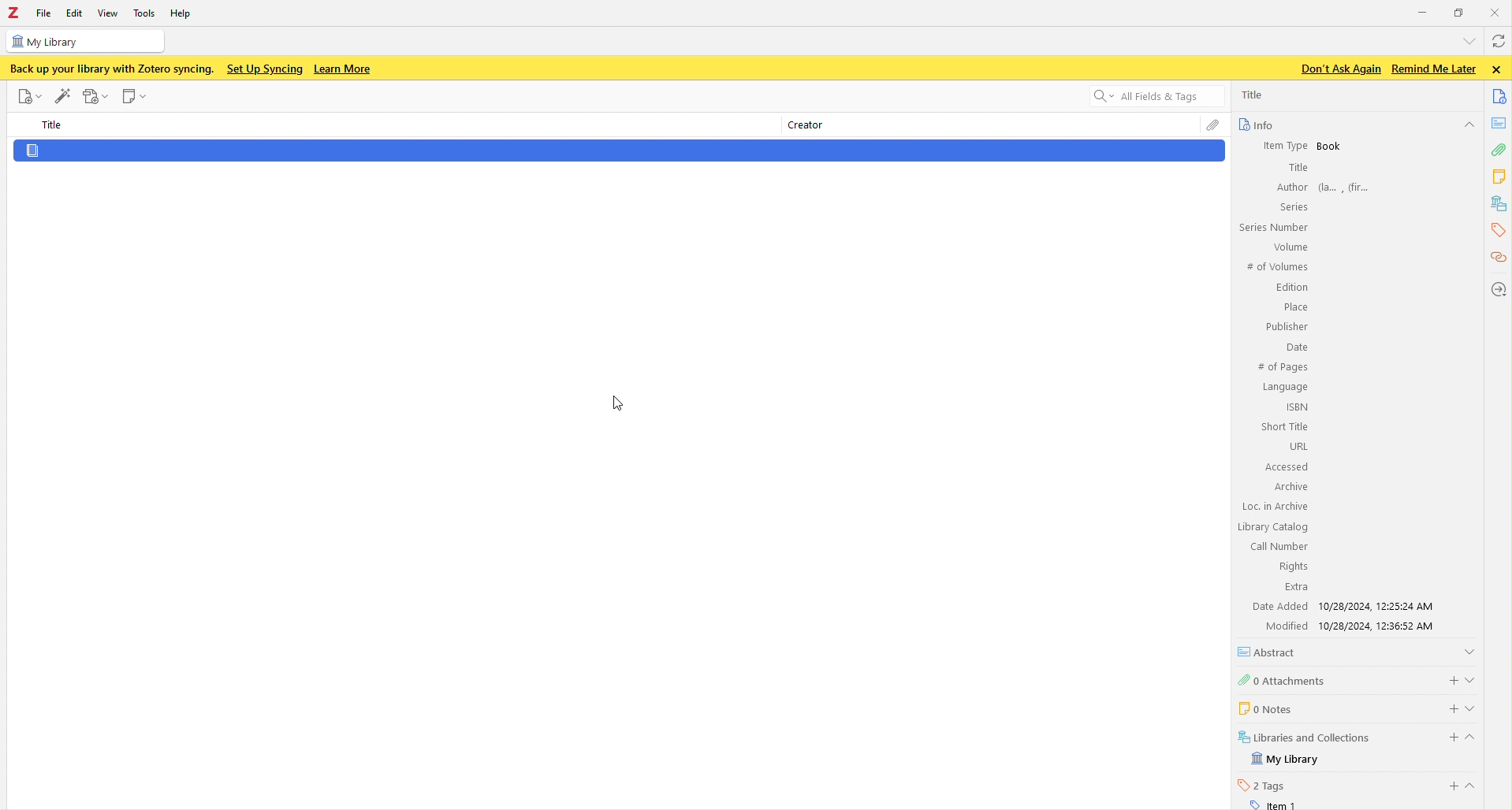 The image size is (1512, 810). I want to click on Accessed, so click(1286, 467).